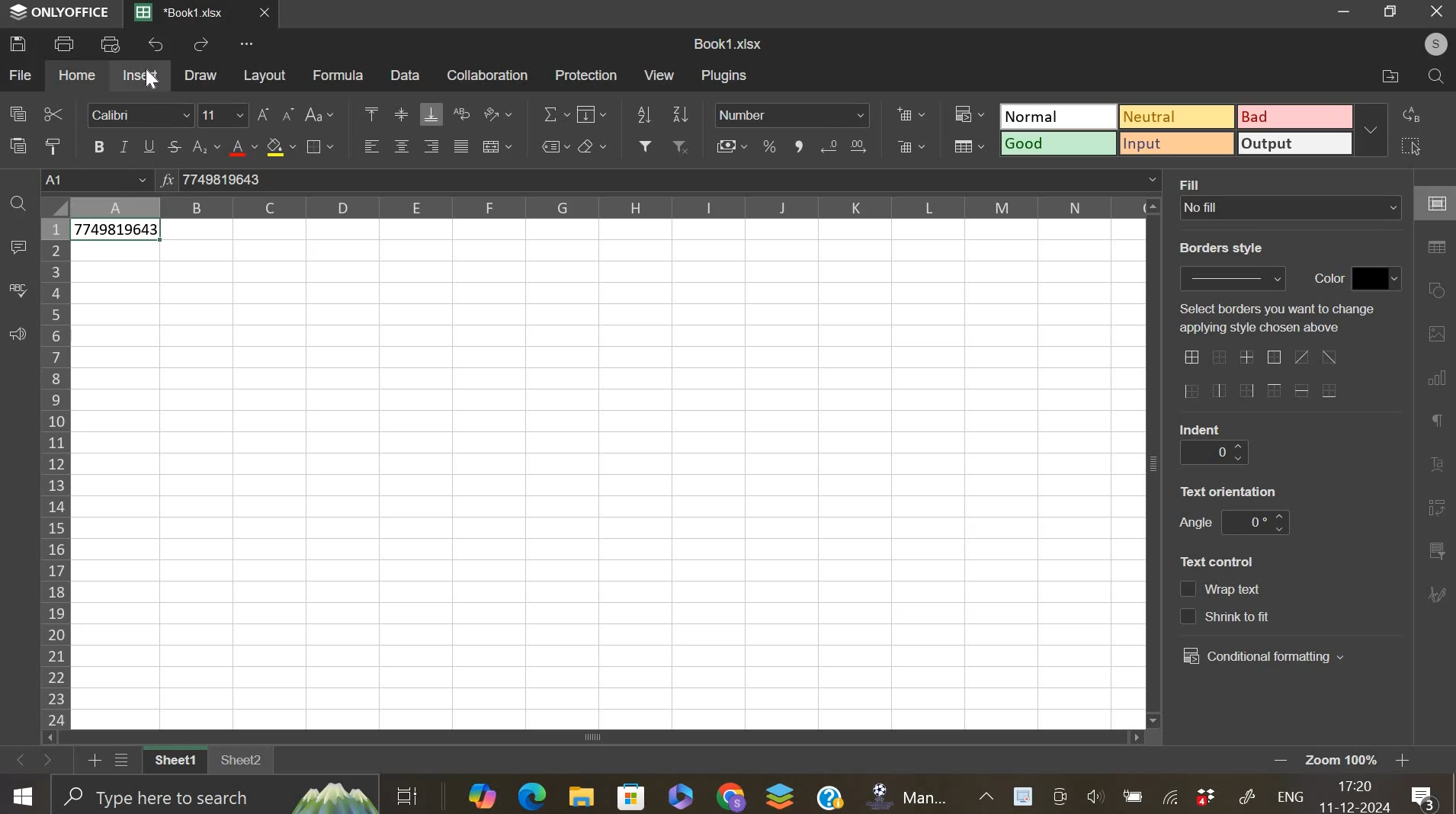 This screenshot has height=814, width=1456. Describe the element at coordinates (172, 761) in the screenshot. I see `sheet 1` at that location.